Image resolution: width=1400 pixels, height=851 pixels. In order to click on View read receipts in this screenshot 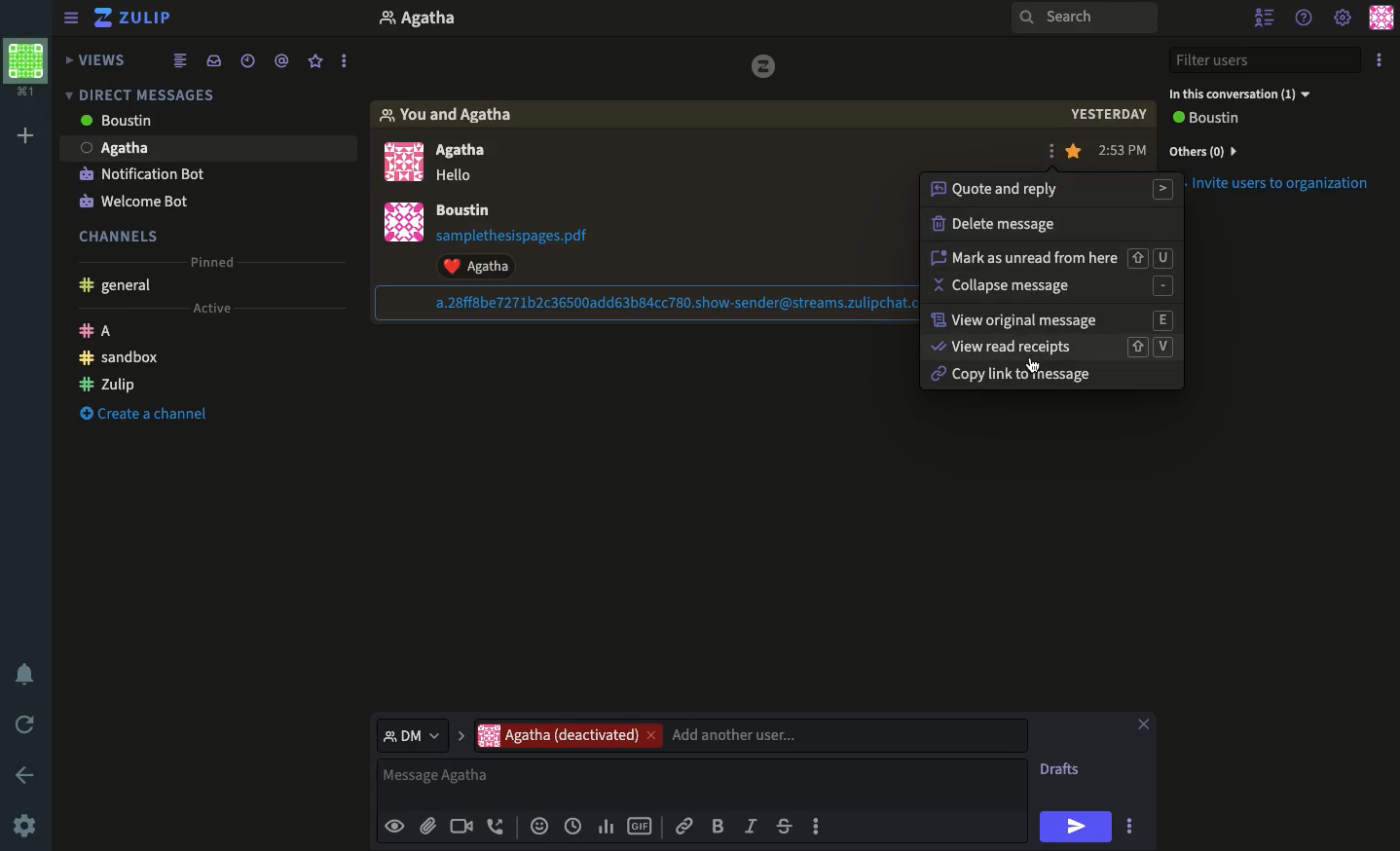, I will do `click(1050, 349)`.